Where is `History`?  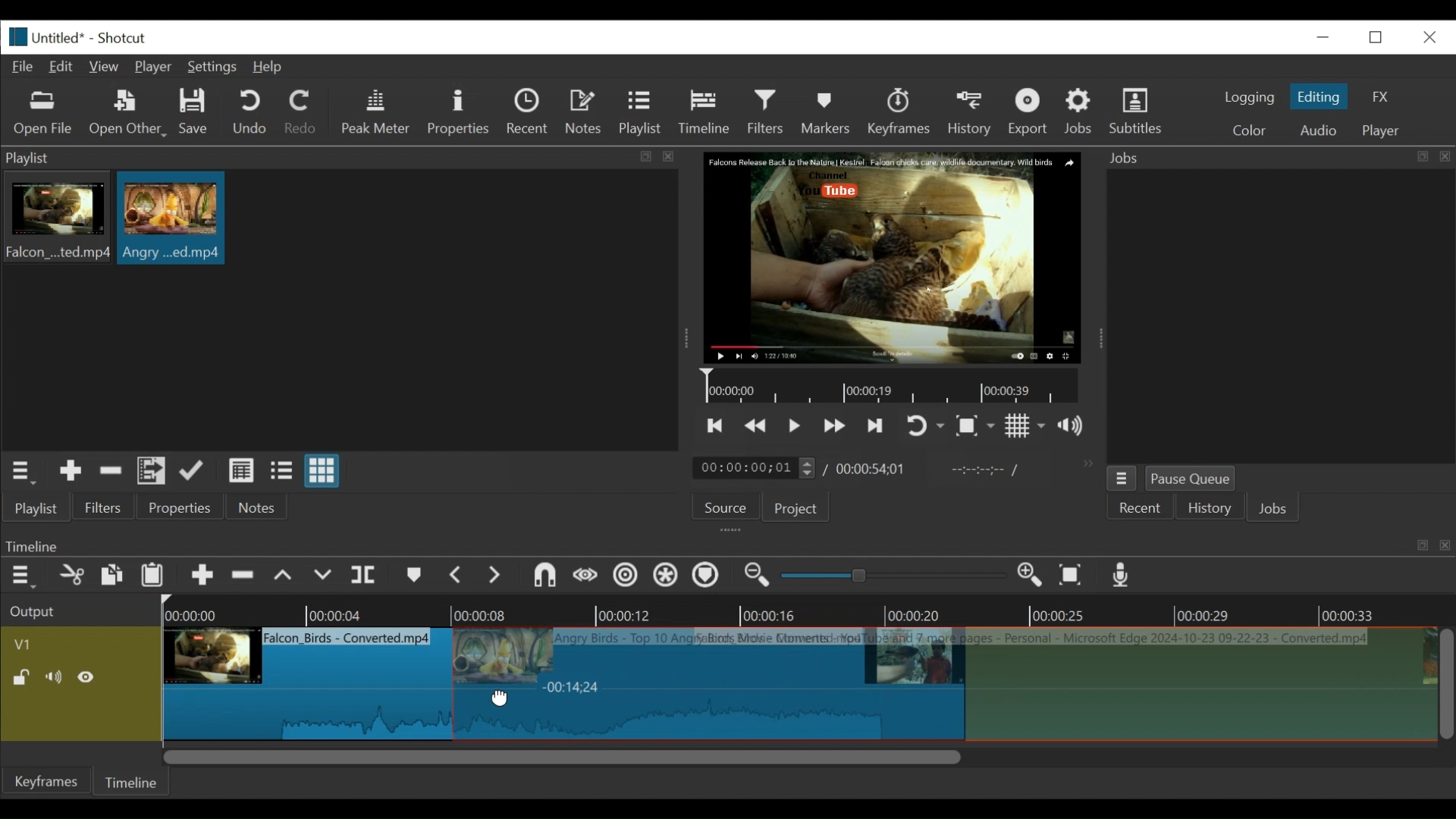
History is located at coordinates (1210, 510).